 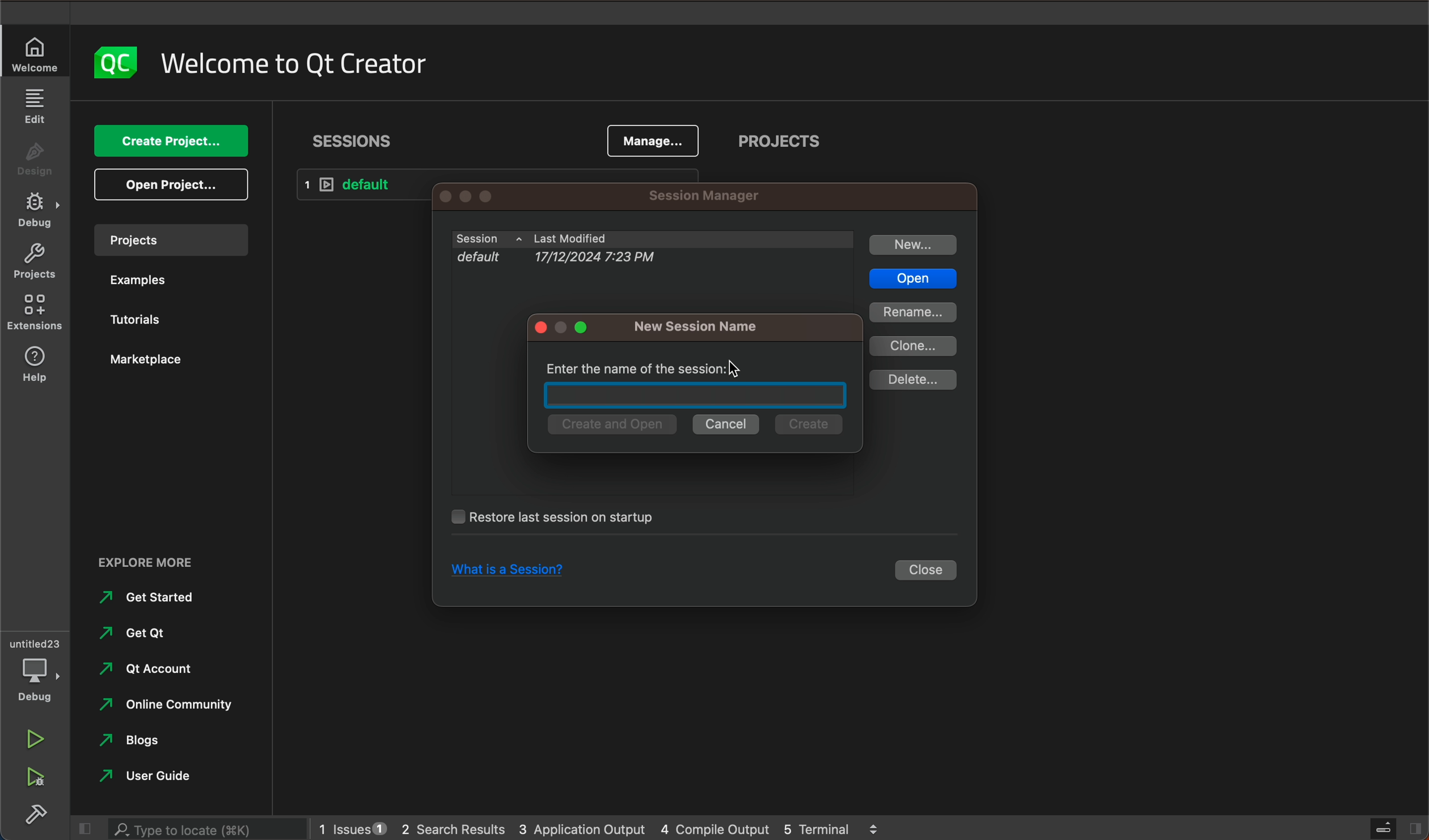 I want to click on manage, so click(x=654, y=139).